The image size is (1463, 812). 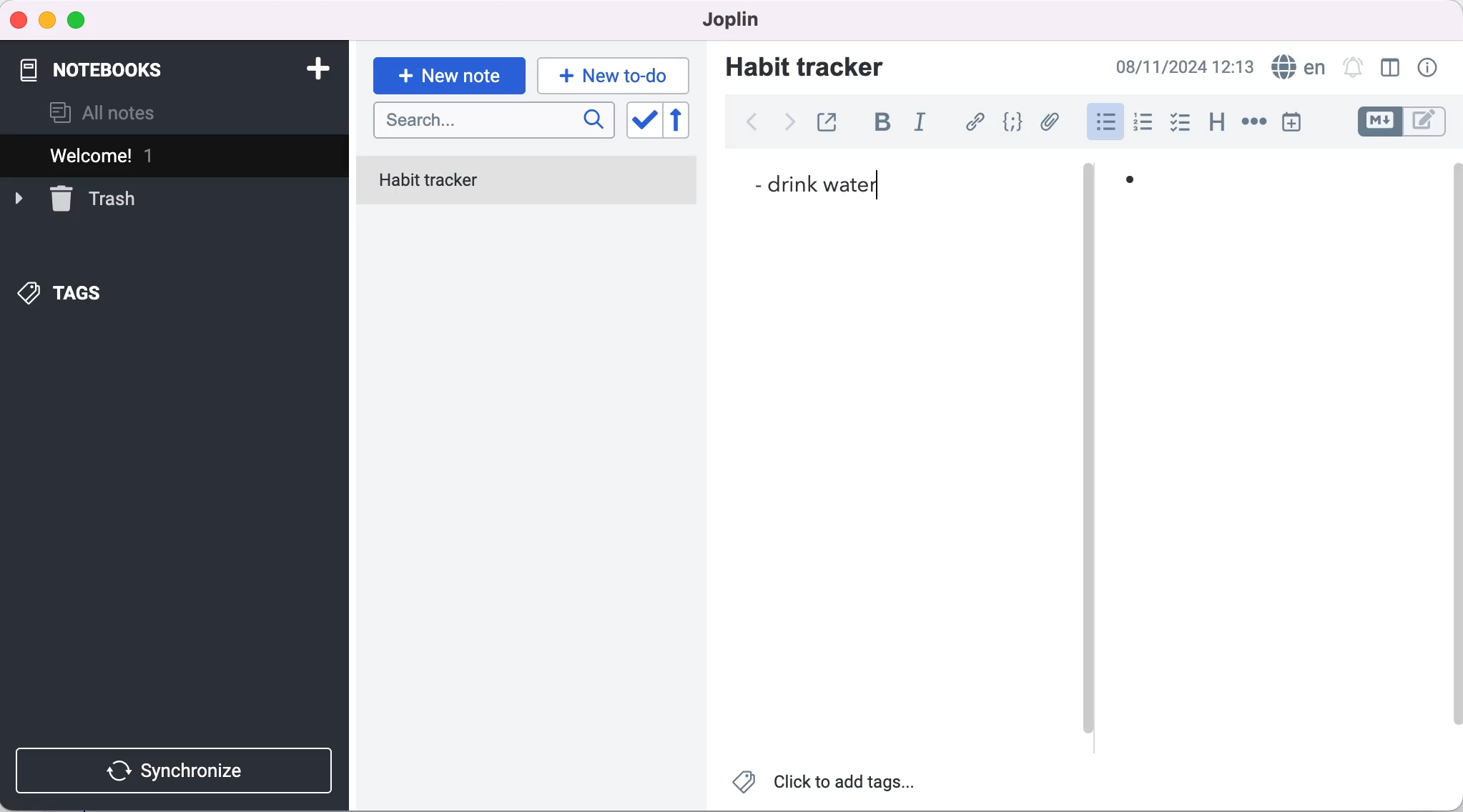 I want to click on toggle editor layout, so click(x=1391, y=68).